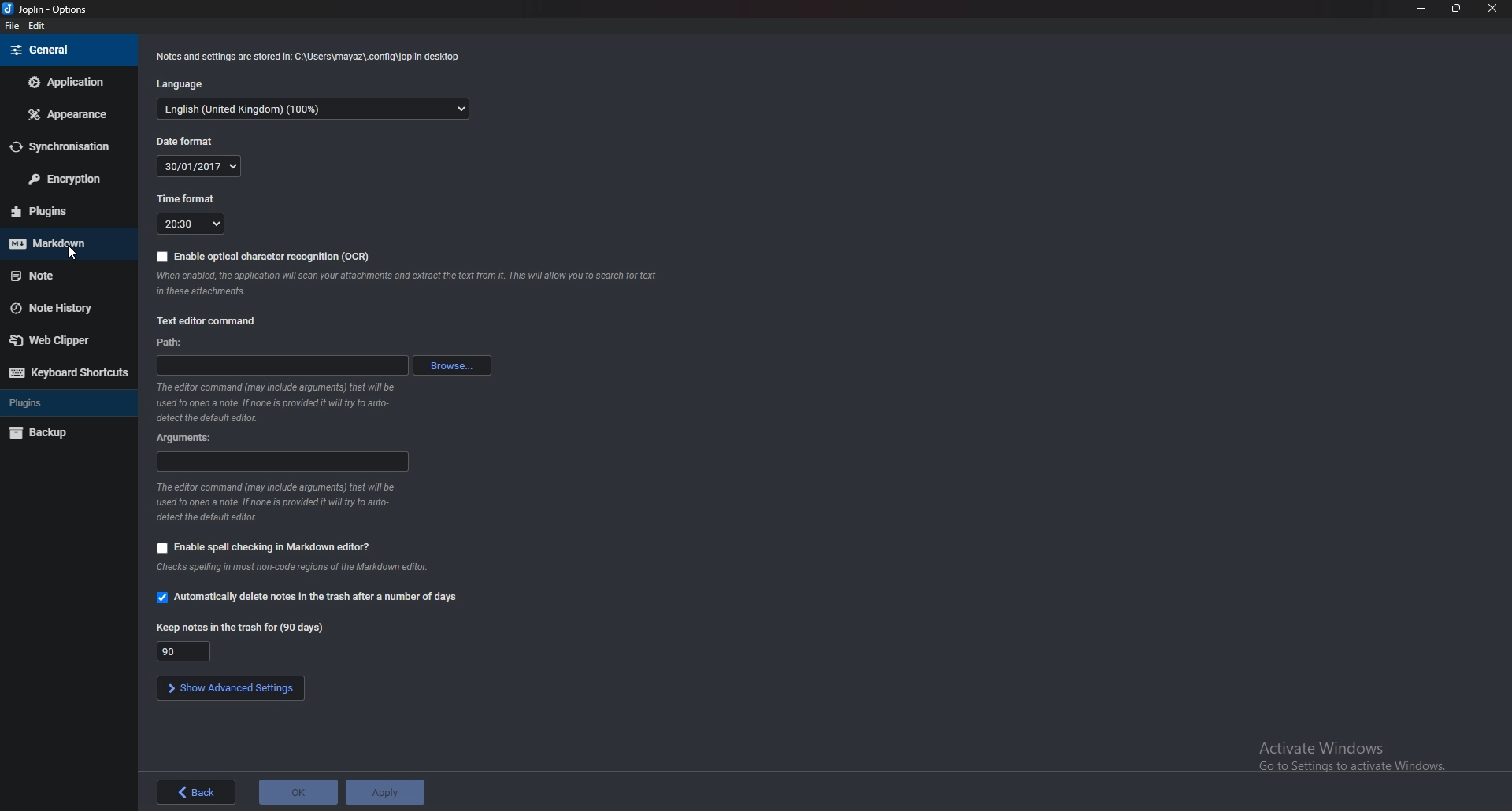 Image resolution: width=1512 pixels, height=811 pixels. Describe the element at coordinates (186, 650) in the screenshot. I see `Keep notes in the trash for` at that location.